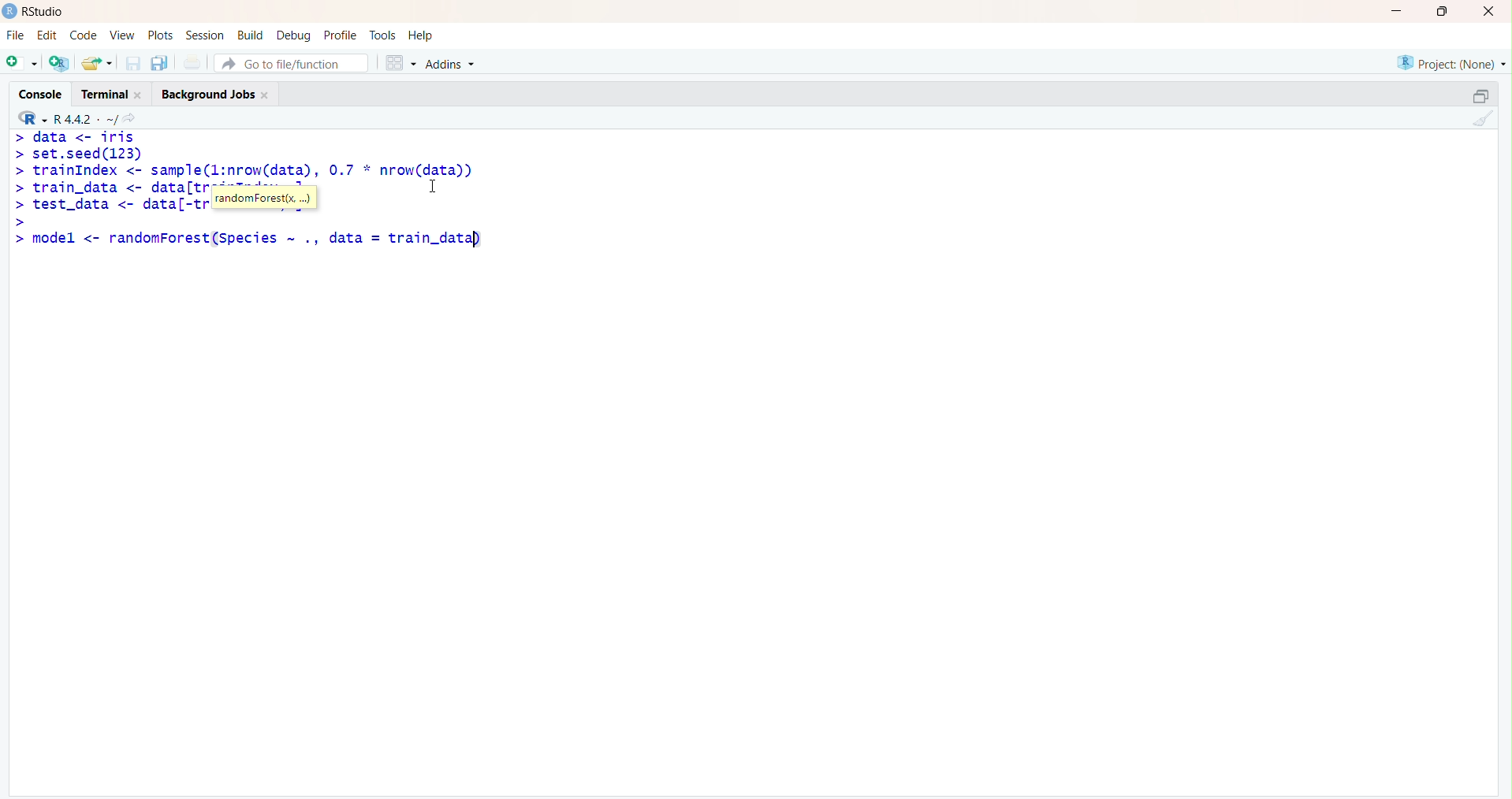  Describe the element at coordinates (15, 238) in the screenshot. I see `Prompt cursor` at that location.